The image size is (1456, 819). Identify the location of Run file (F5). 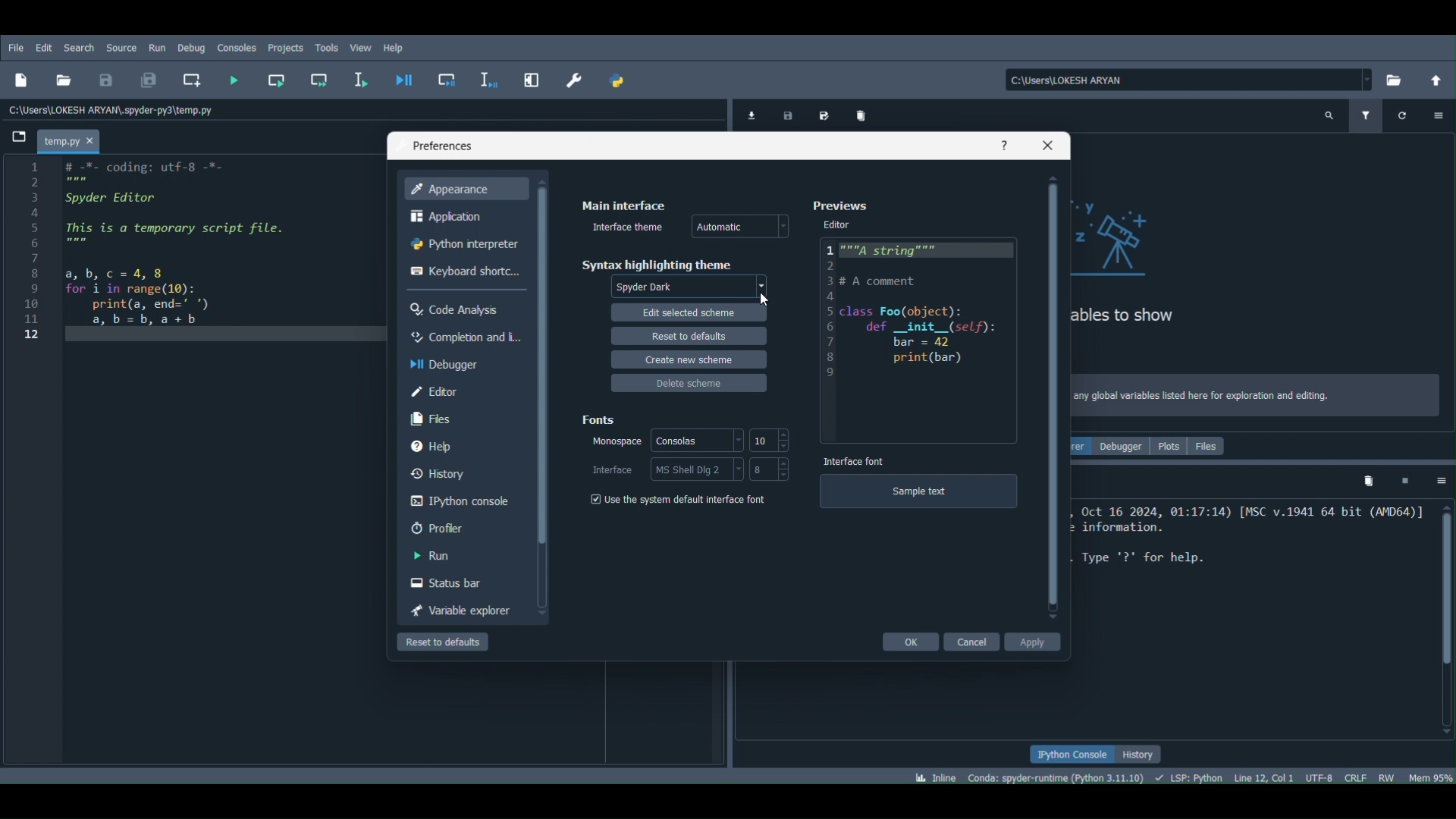
(236, 80).